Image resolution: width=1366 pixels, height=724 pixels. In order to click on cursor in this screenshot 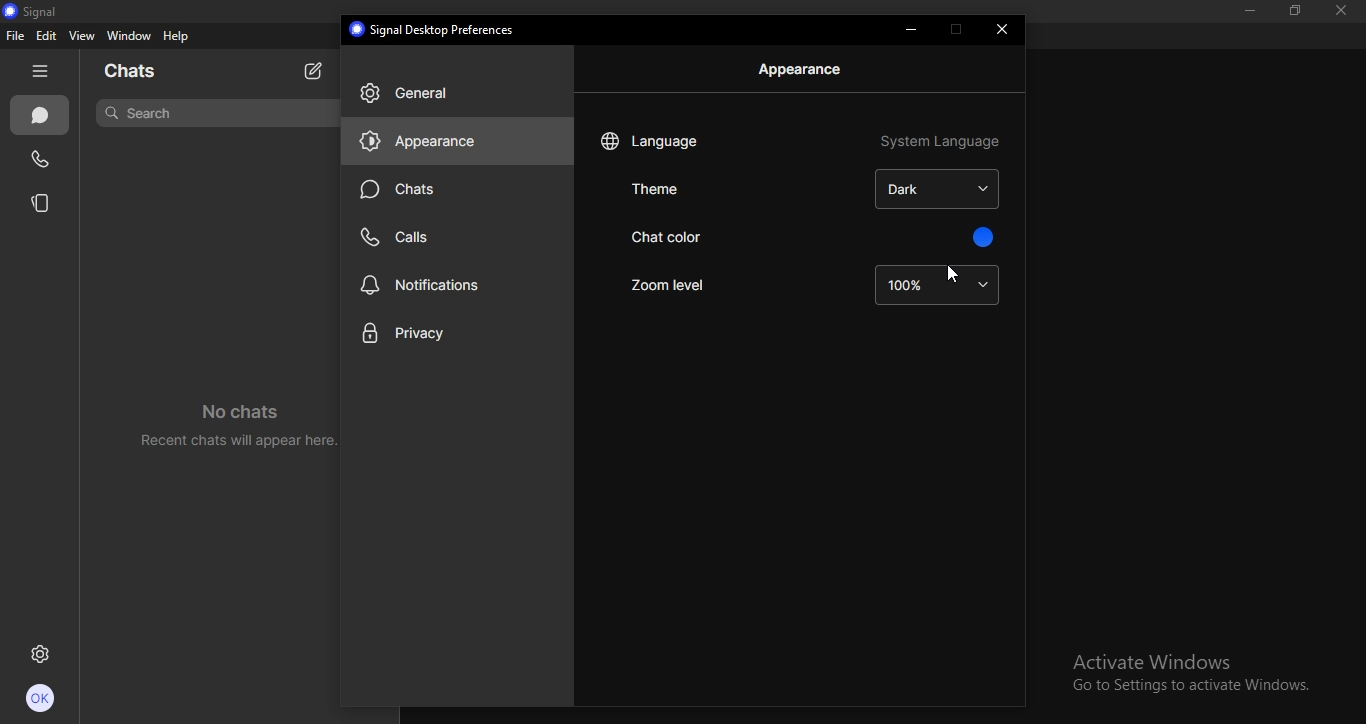, I will do `click(950, 274)`.